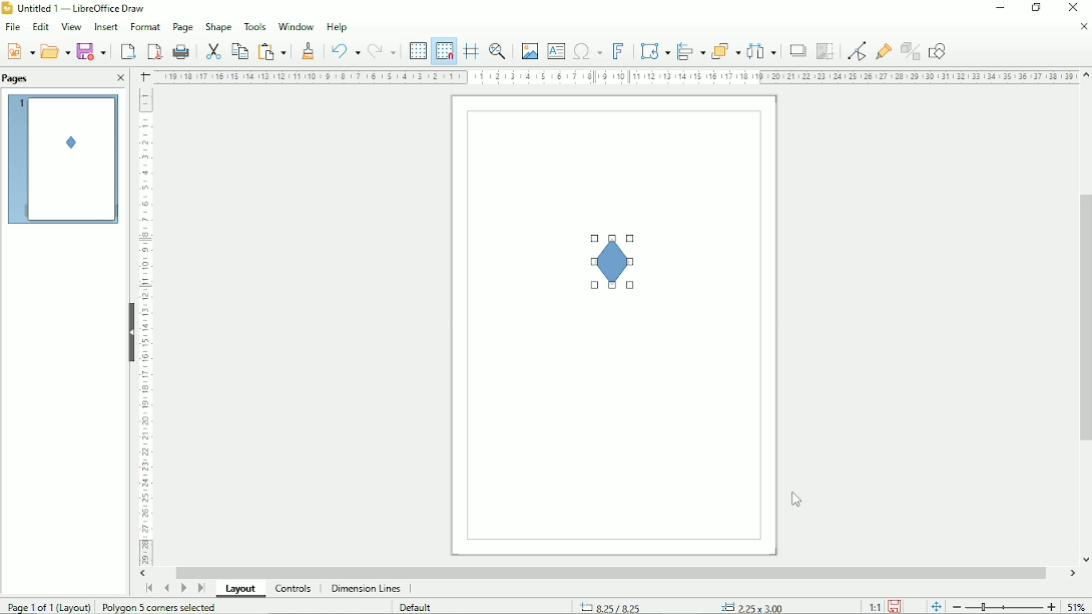 The width and height of the screenshot is (1092, 614). I want to click on Shadow, so click(797, 50).